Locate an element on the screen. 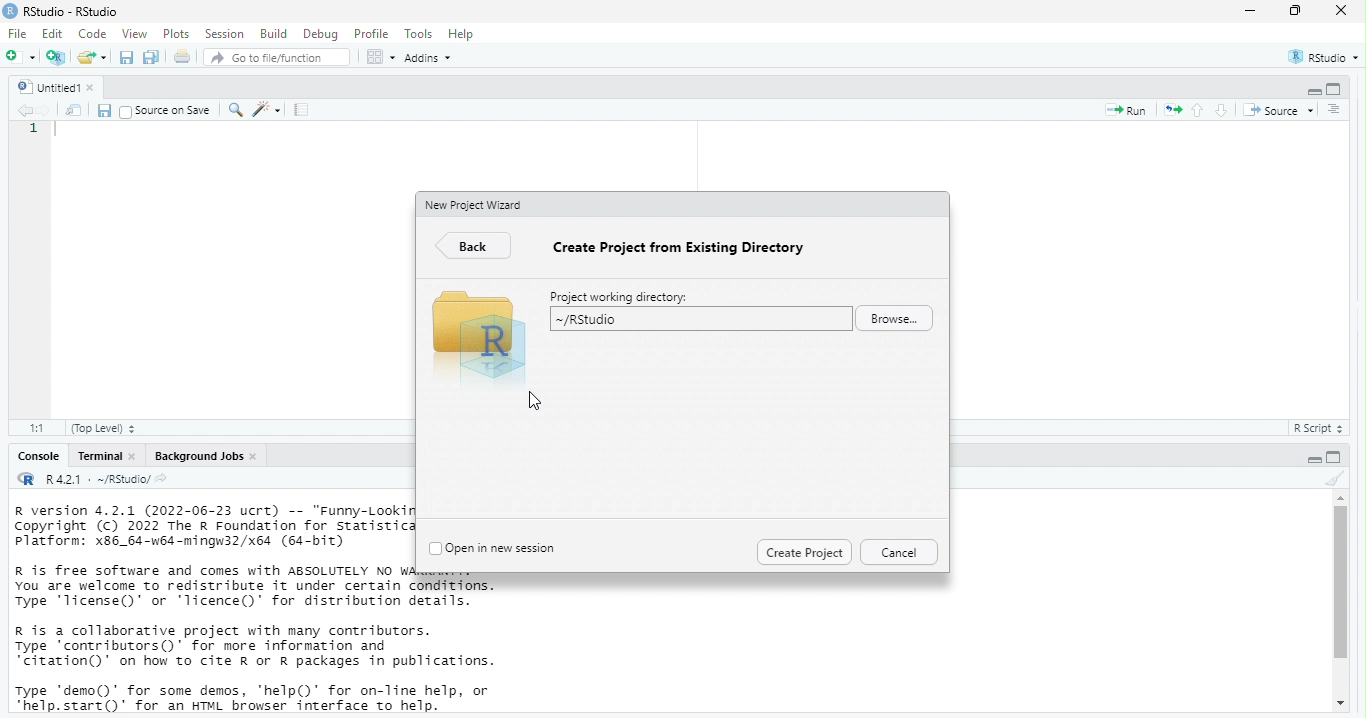 The width and height of the screenshot is (1366, 718). maximize is located at coordinates (1342, 86).